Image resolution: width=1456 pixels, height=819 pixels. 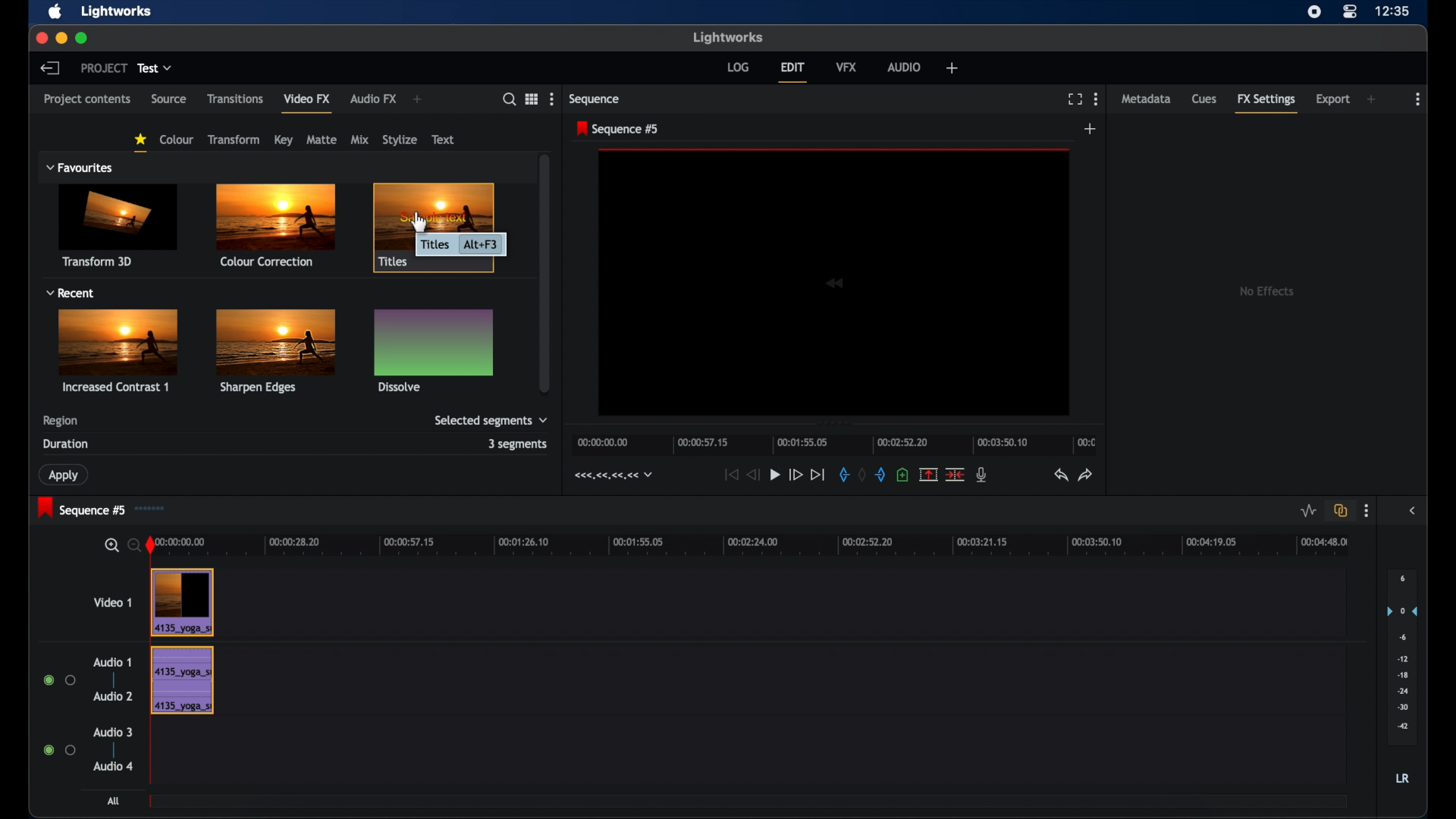 What do you see at coordinates (400, 140) in the screenshot?
I see `stylize` at bounding box center [400, 140].